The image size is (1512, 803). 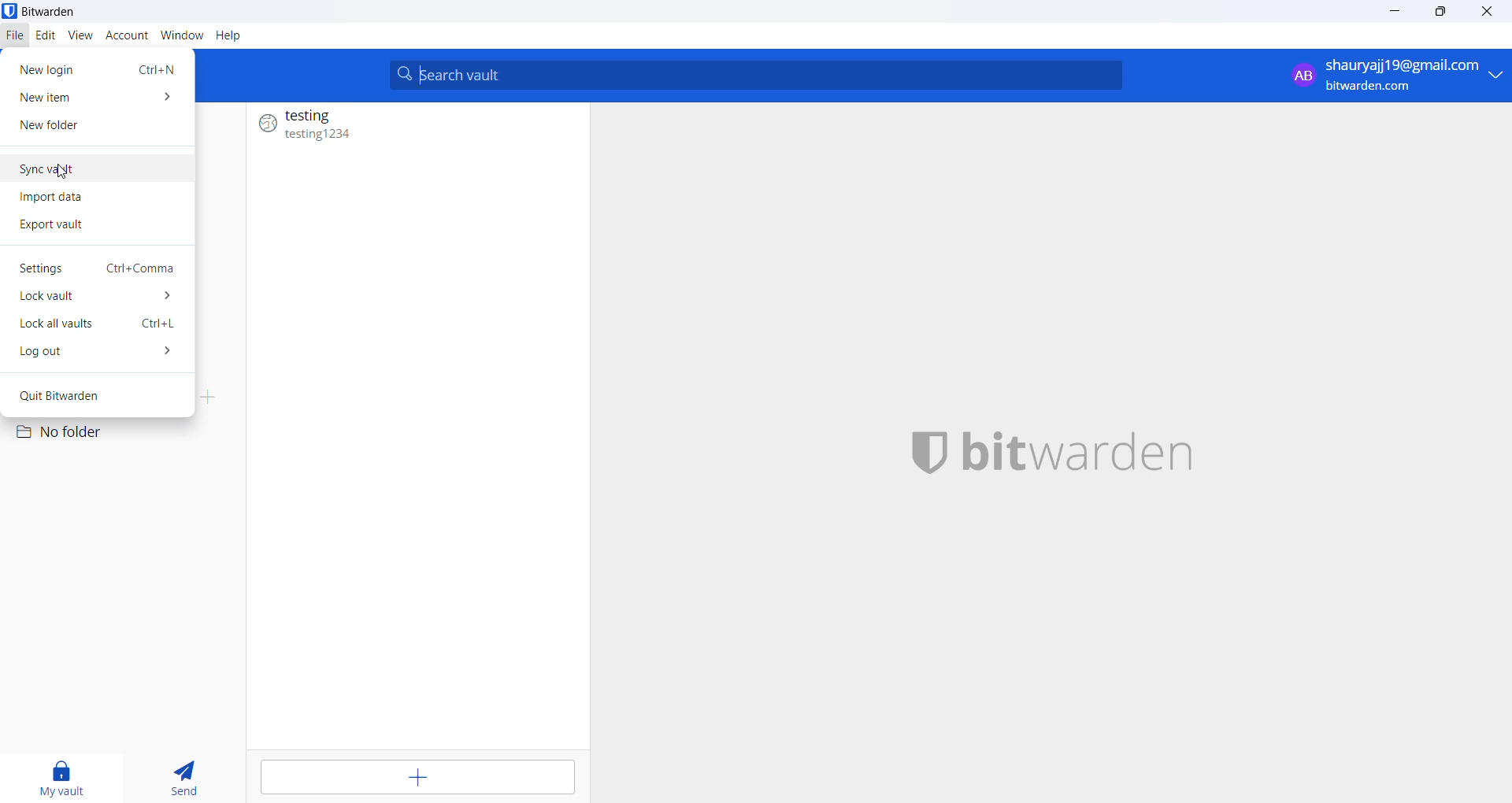 I want to click on search vault, so click(x=754, y=76).